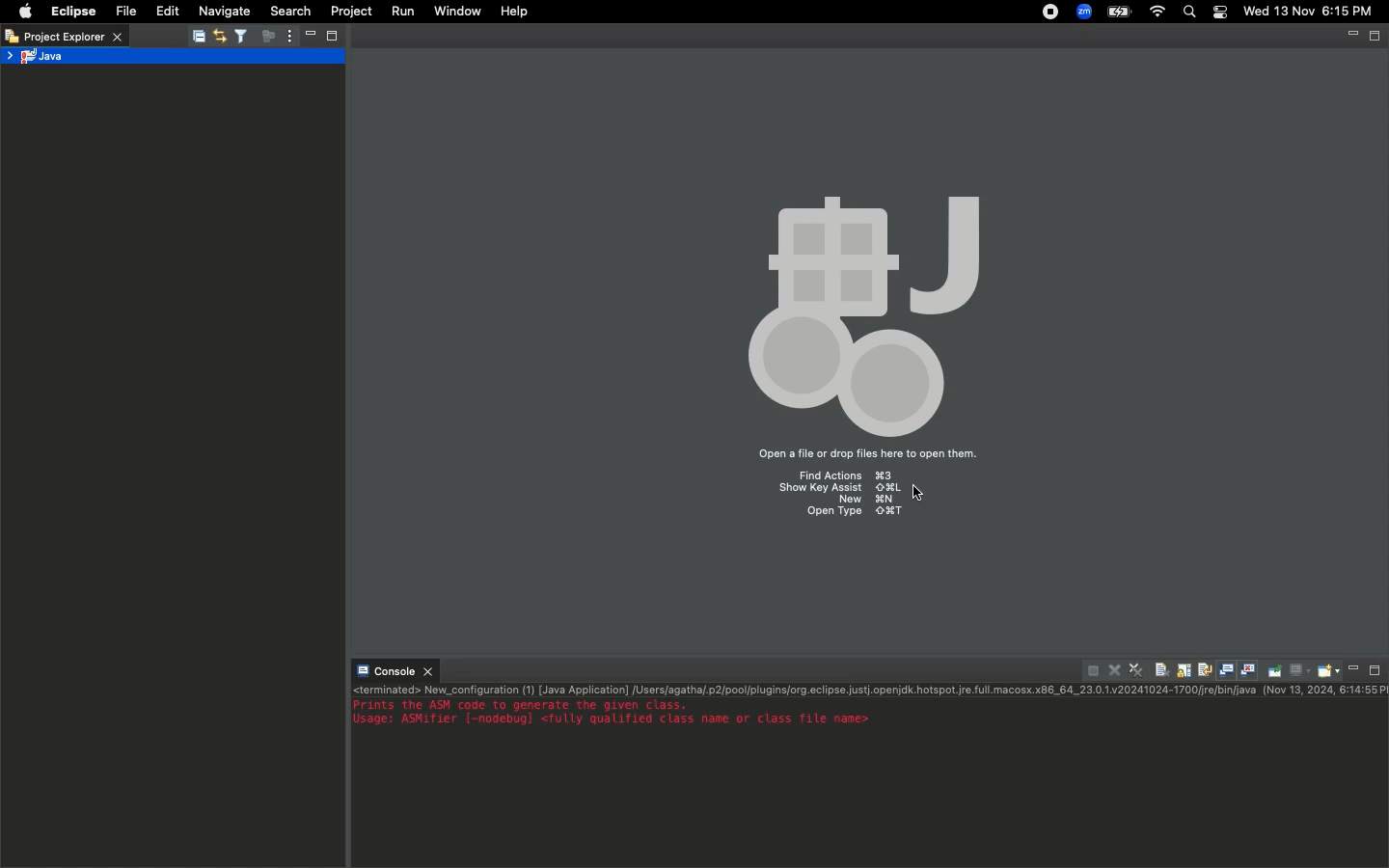  What do you see at coordinates (71, 12) in the screenshot?
I see `Eclipse` at bounding box center [71, 12].